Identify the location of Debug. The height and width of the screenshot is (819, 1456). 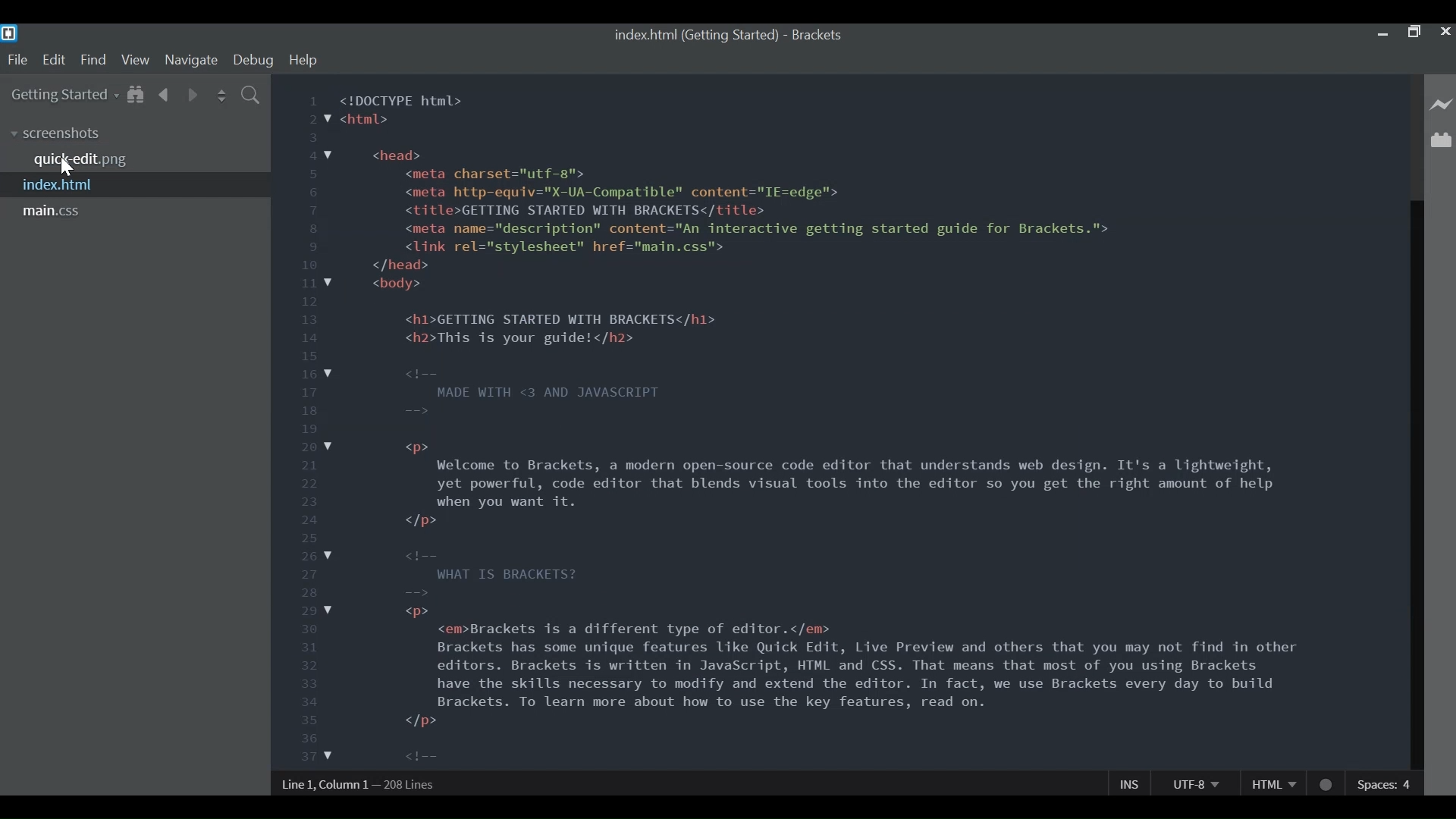
(253, 60).